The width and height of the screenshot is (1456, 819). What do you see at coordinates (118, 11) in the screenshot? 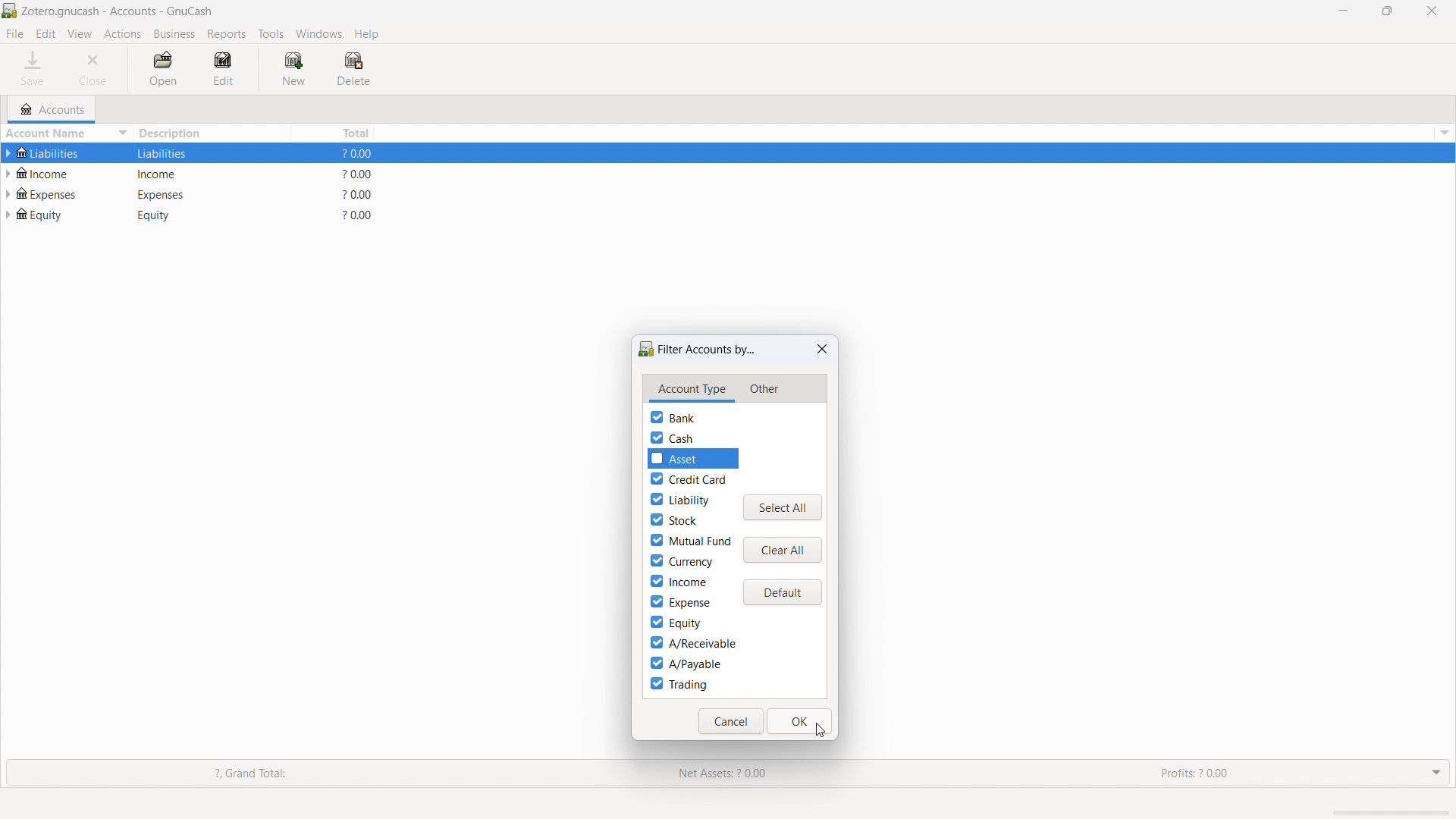
I see `title` at bounding box center [118, 11].